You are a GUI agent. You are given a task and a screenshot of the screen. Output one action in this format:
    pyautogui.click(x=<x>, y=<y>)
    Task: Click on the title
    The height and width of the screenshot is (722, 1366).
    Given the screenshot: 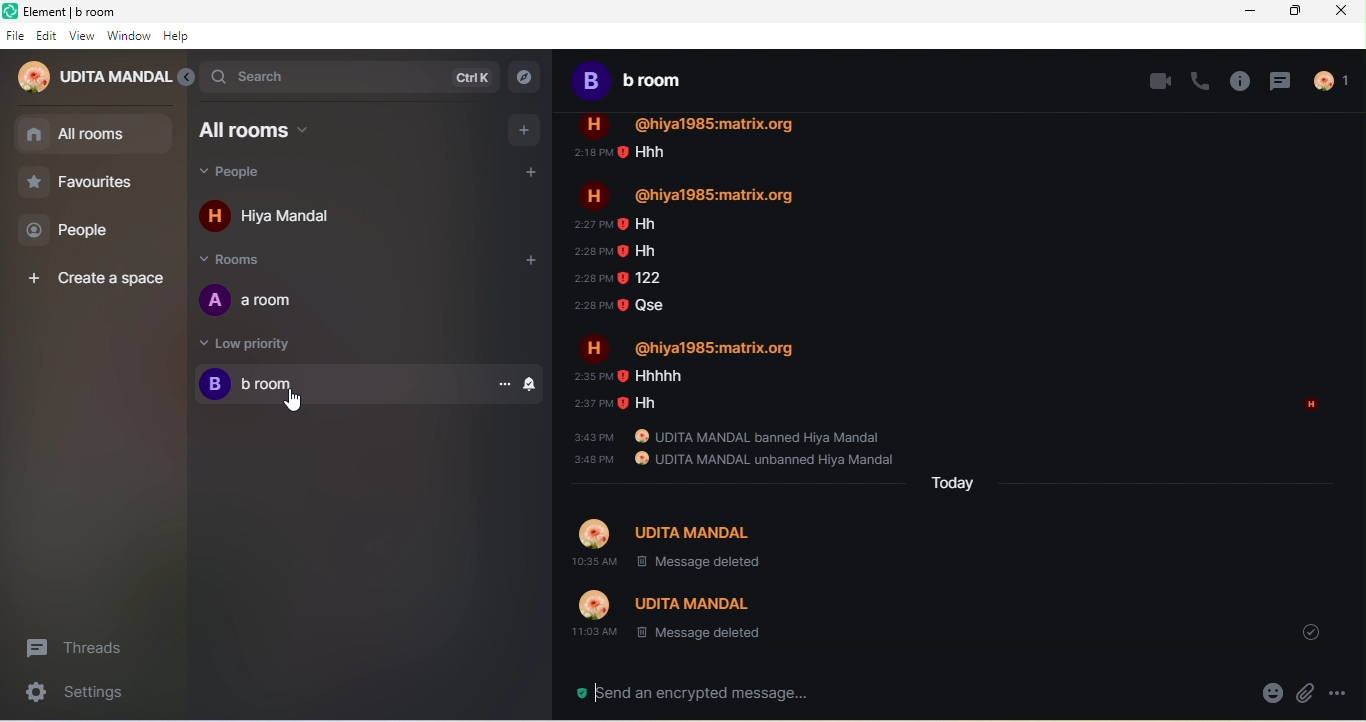 What is the action you would take?
    pyautogui.click(x=100, y=13)
    